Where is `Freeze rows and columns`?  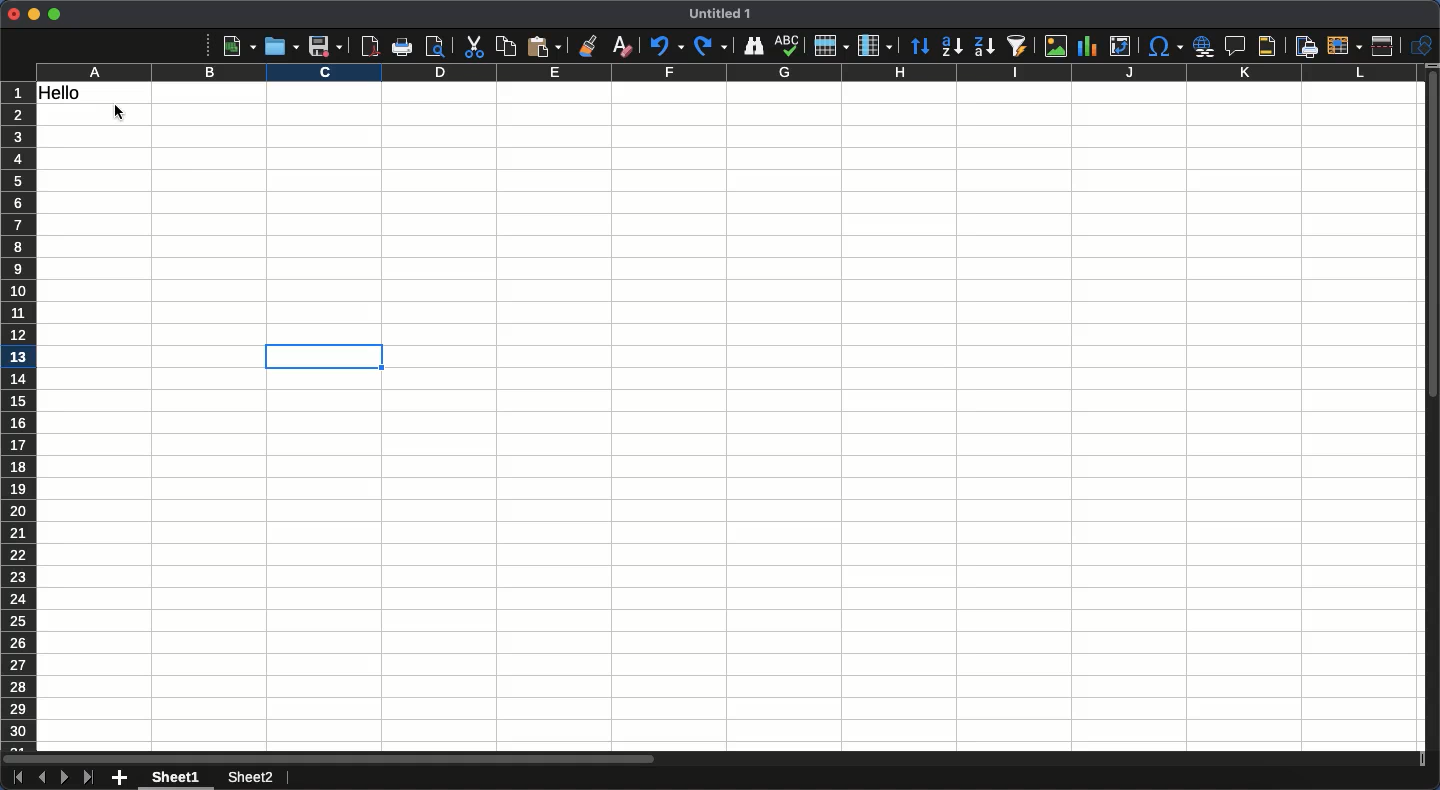 Freeze rows and columns is located at coordinates (1345, 44).